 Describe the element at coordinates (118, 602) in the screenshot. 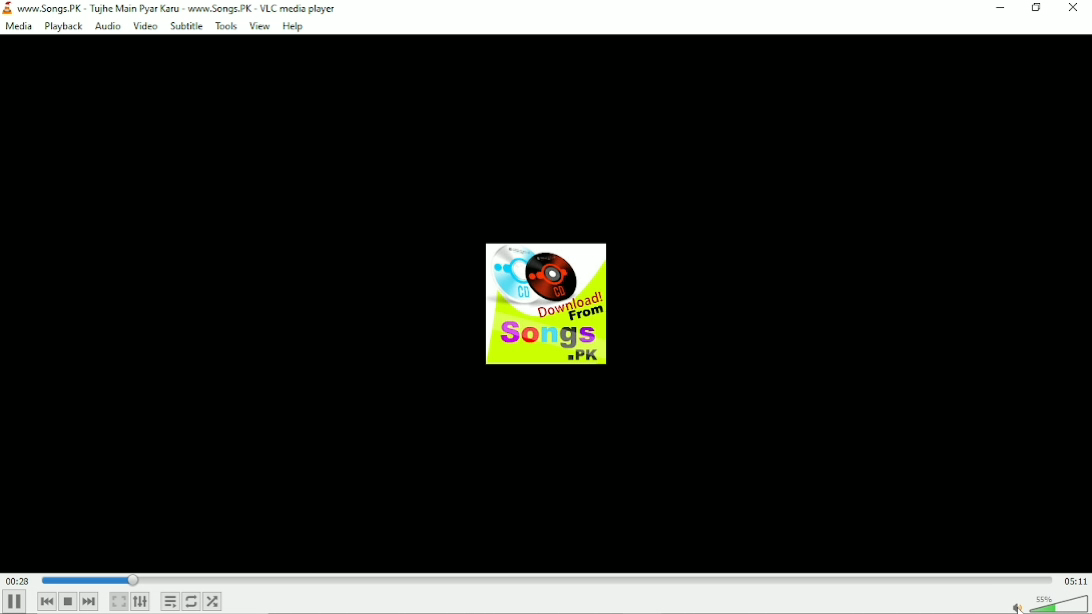

I see `Toggle video in fullscreen` at that location.